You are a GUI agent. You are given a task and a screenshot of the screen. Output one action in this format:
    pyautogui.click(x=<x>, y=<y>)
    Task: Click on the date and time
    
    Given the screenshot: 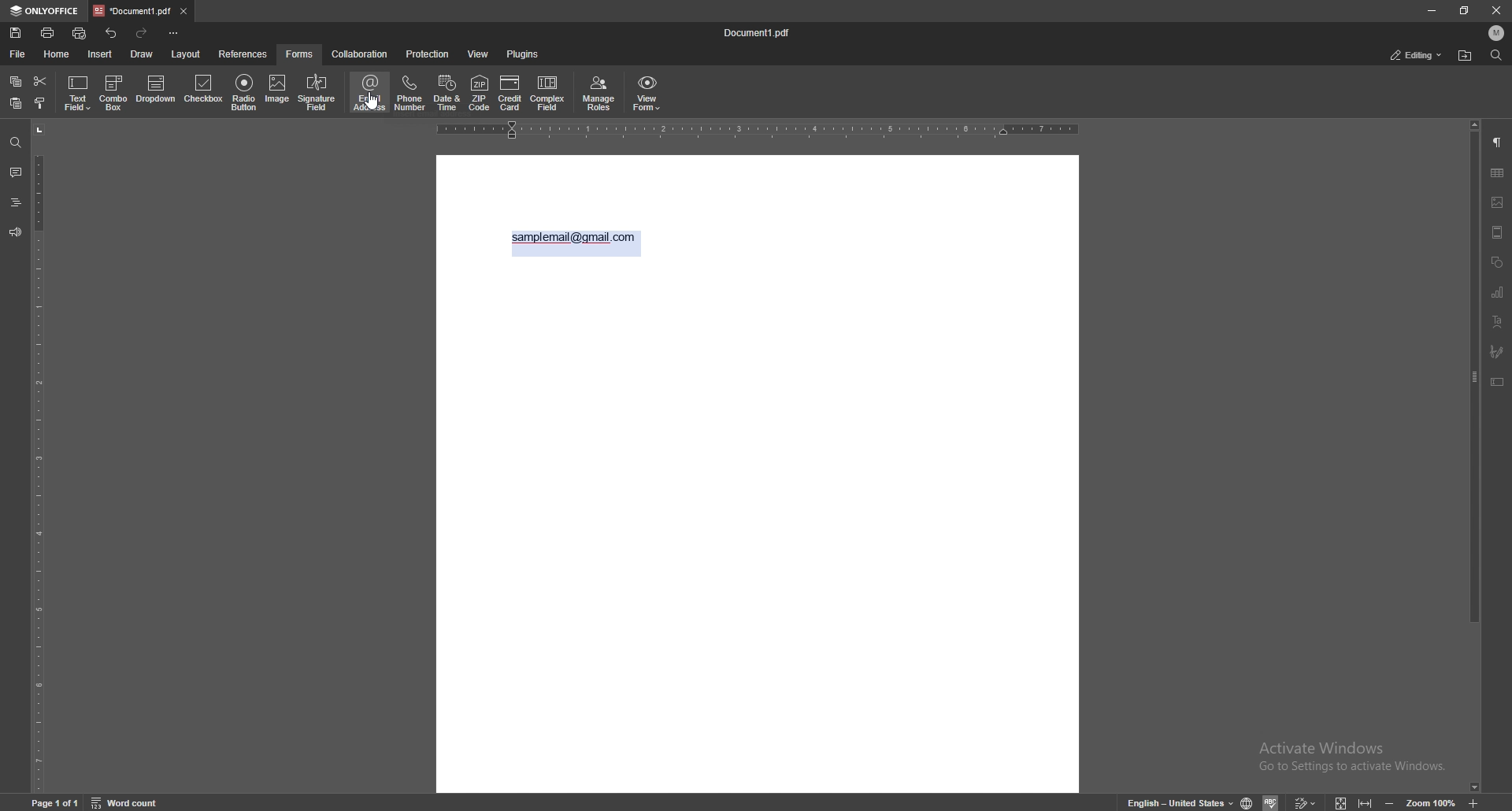 What is the action you would take?
    pyautogui.click(x=447, y=93)
    